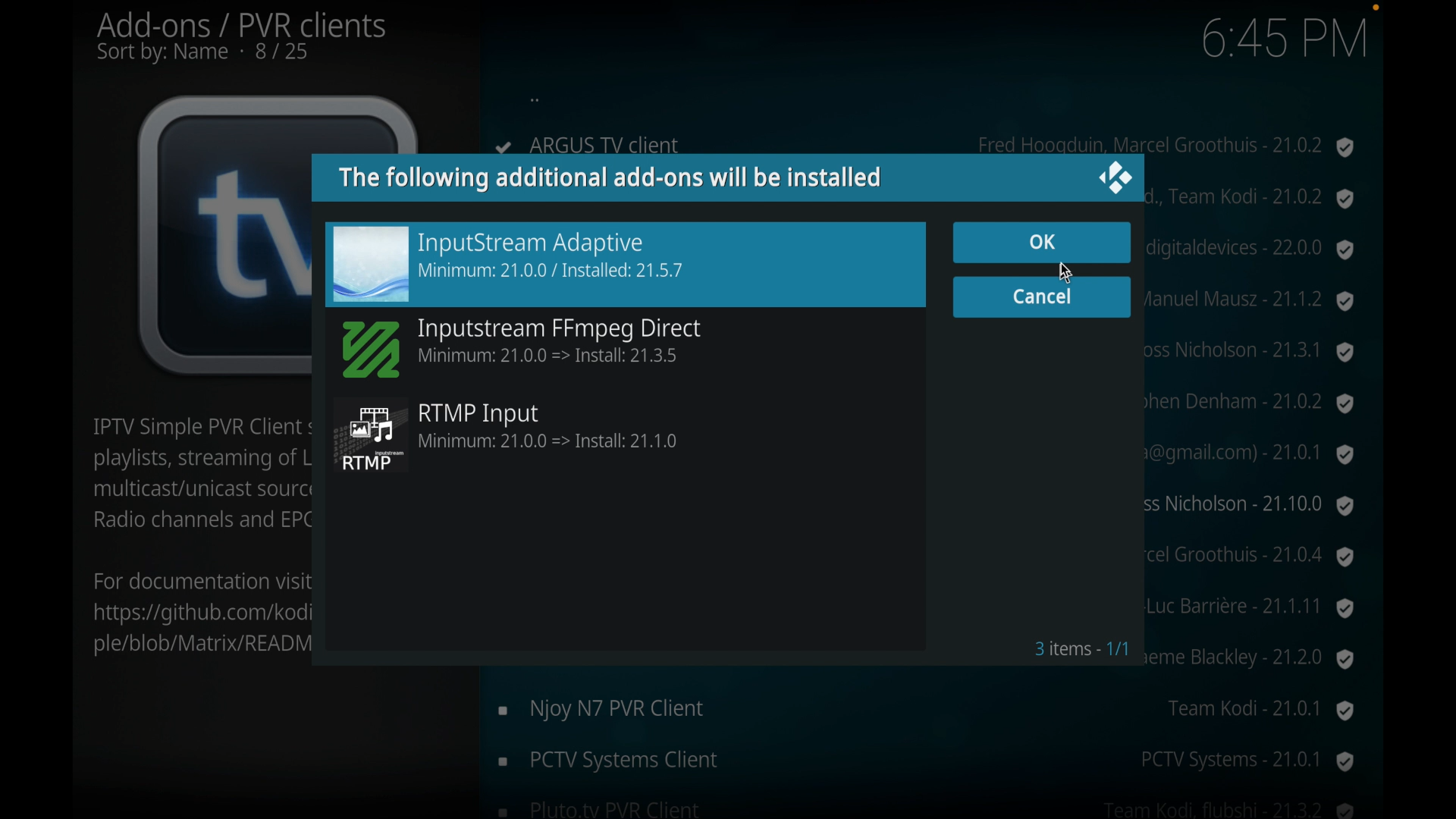  I want to click on 6:44 PM, so click(1066, 269).